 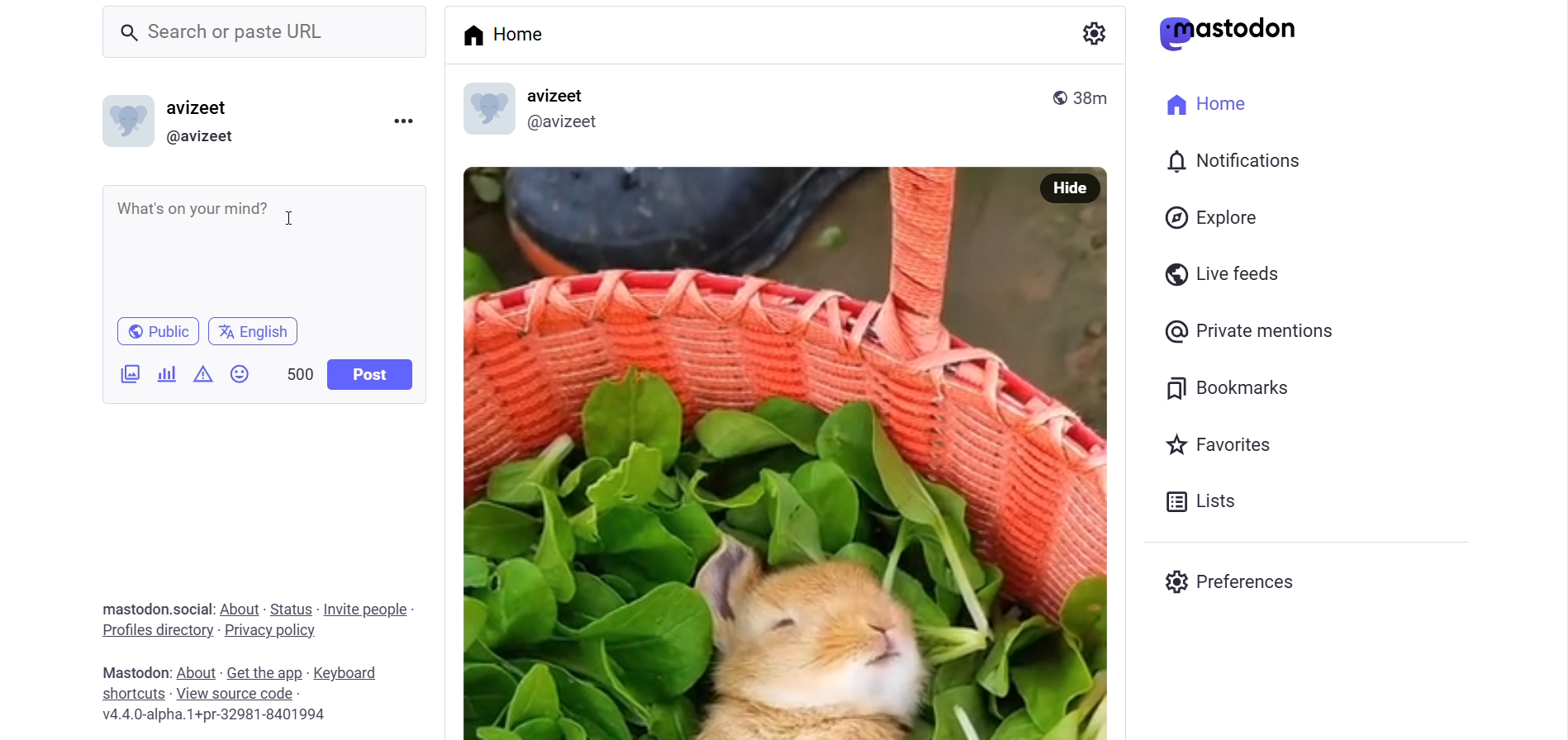 What do you see at coordinates (1228, 33) in the screenshot?
I see `Mastodon` at bounding box center [1228, 33].